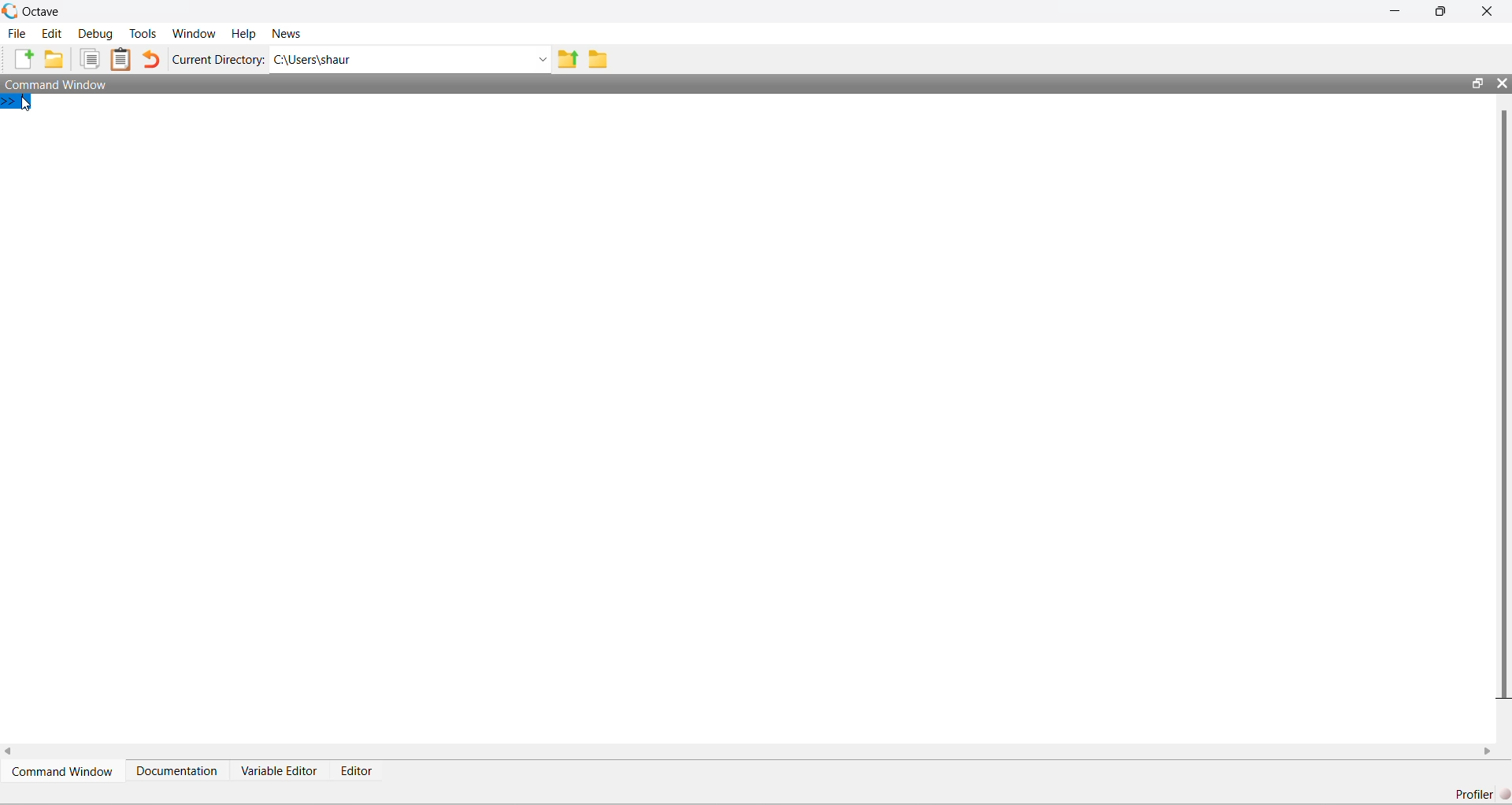  Describe the element at coordinates (540, 61) in the screenshot. I see `Dropdown` at that location.